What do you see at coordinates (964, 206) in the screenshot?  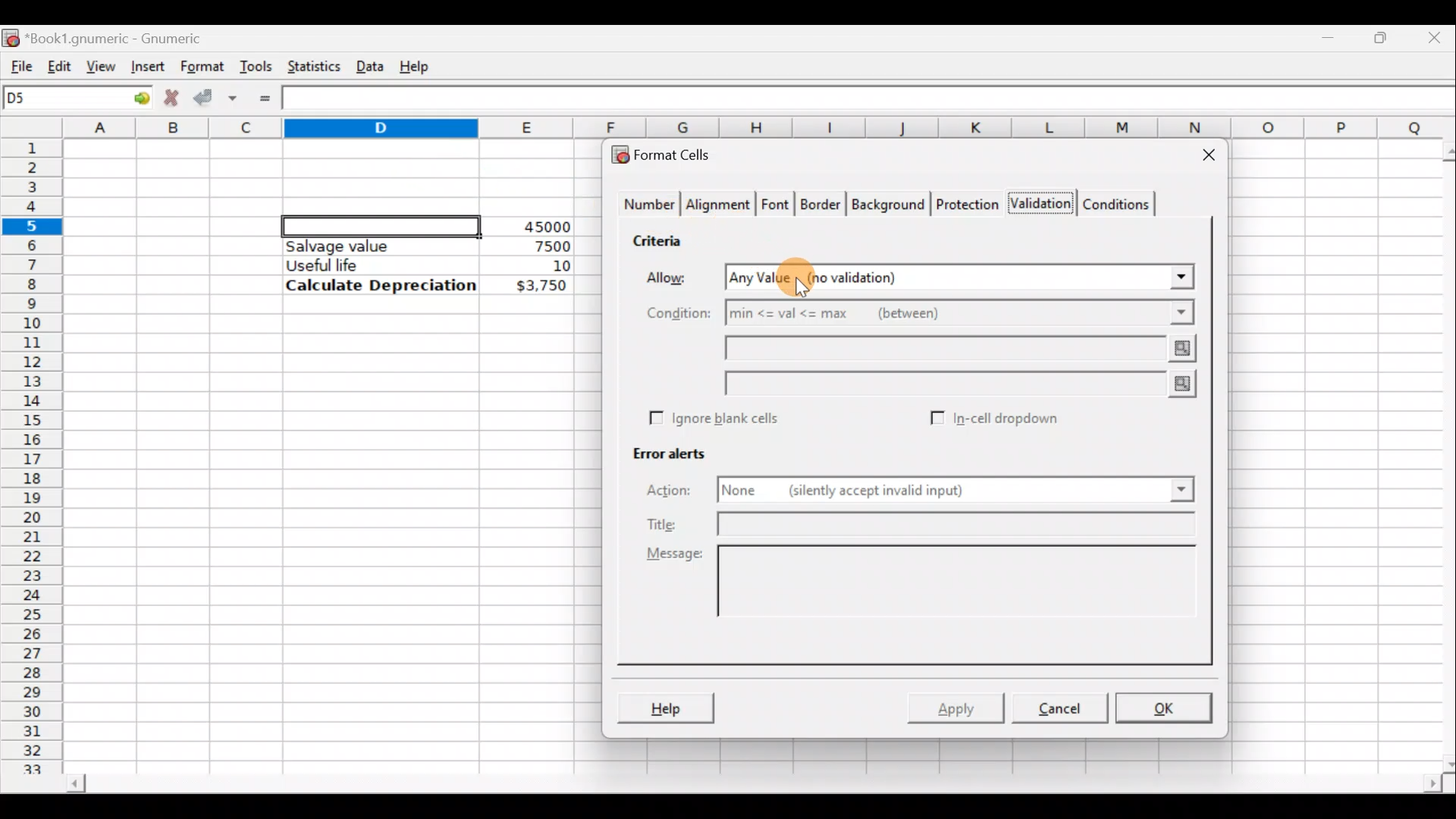 I see `Protection` at bounding box center [964, 206].